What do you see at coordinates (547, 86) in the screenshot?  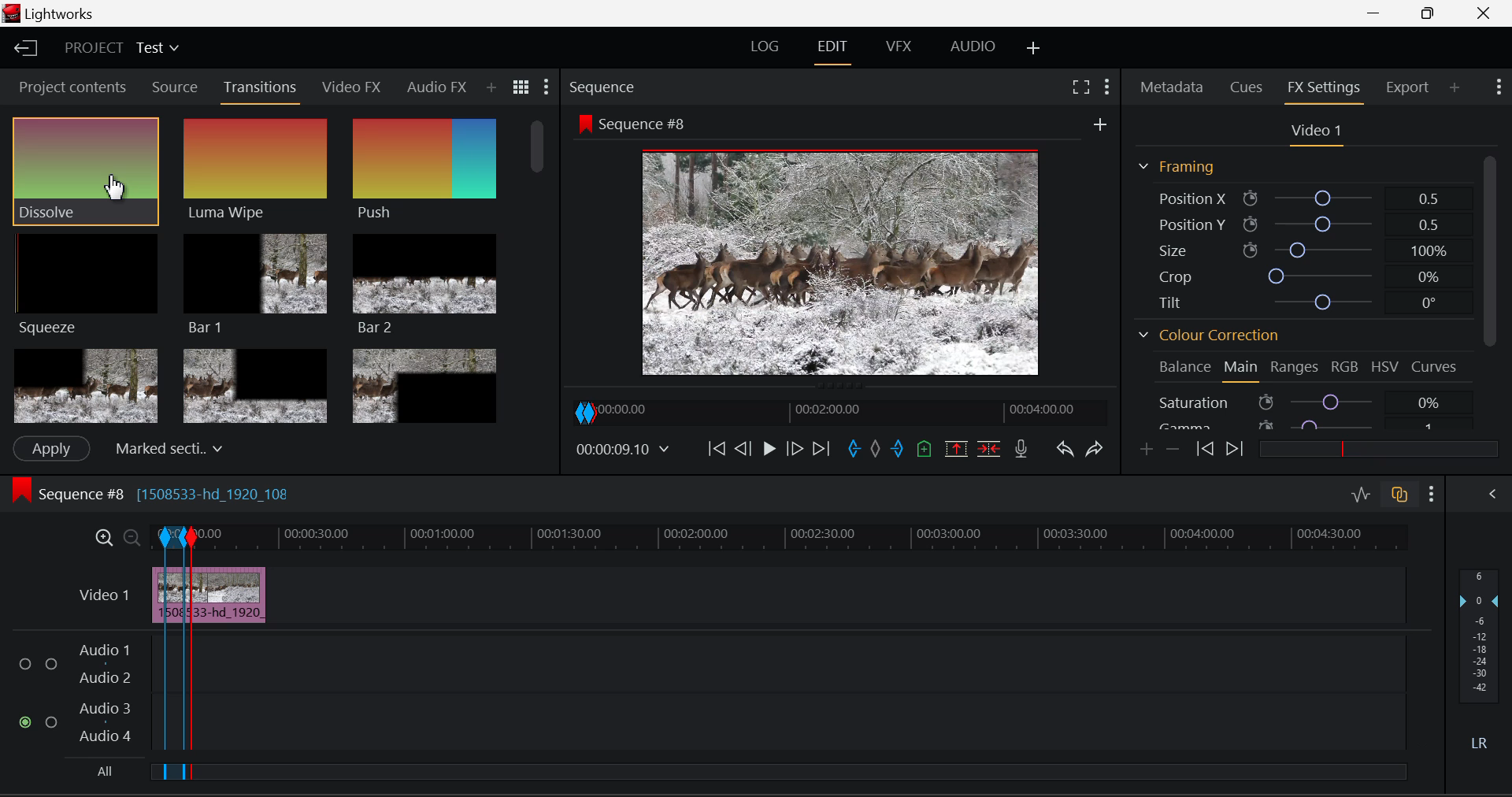 I see `Show Settings` at bounding box center [547, 86].